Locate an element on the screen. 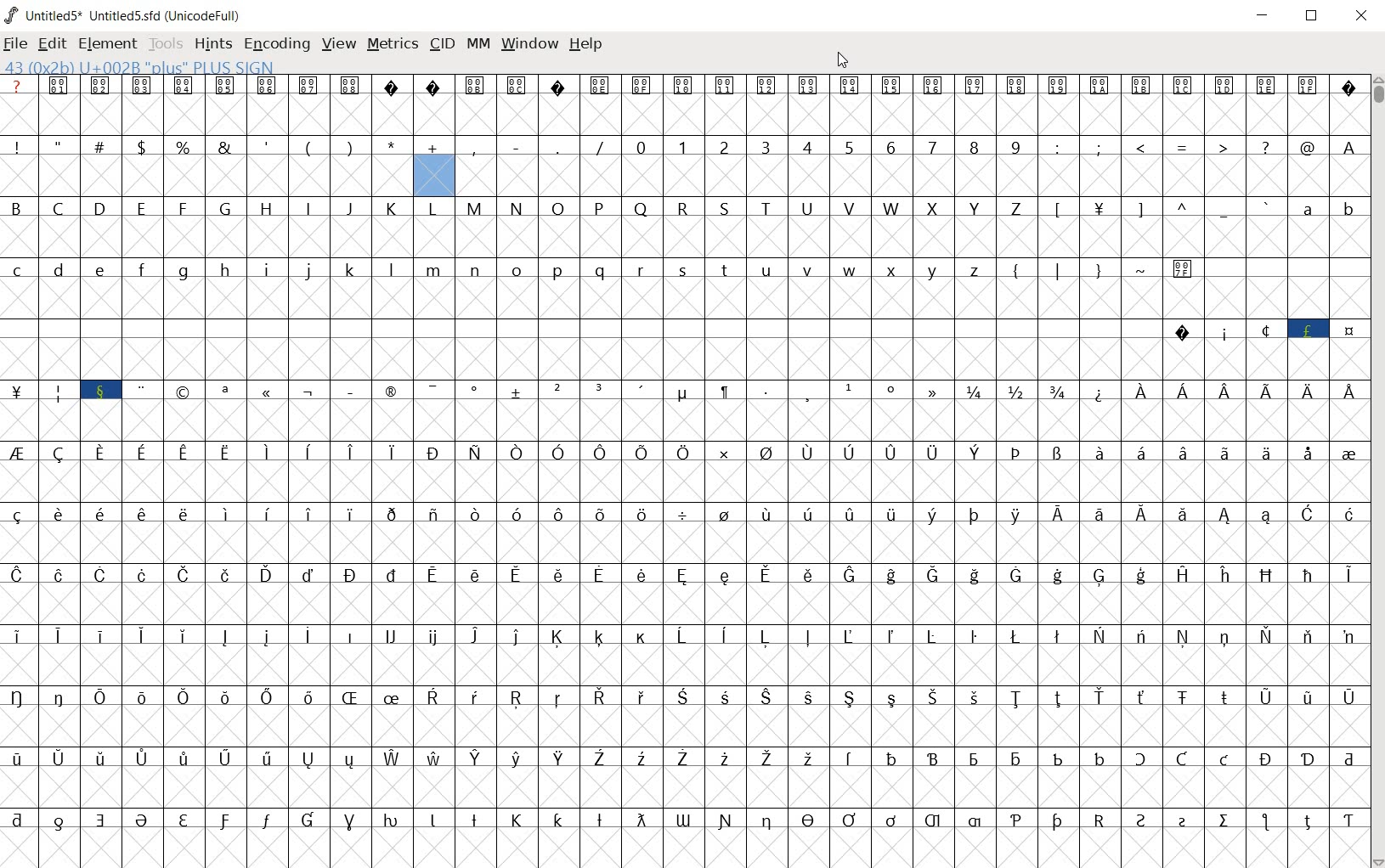 The height and width of the screenshot is (868, 1385). Latin extended characters is located at coordinates (1202, 534).